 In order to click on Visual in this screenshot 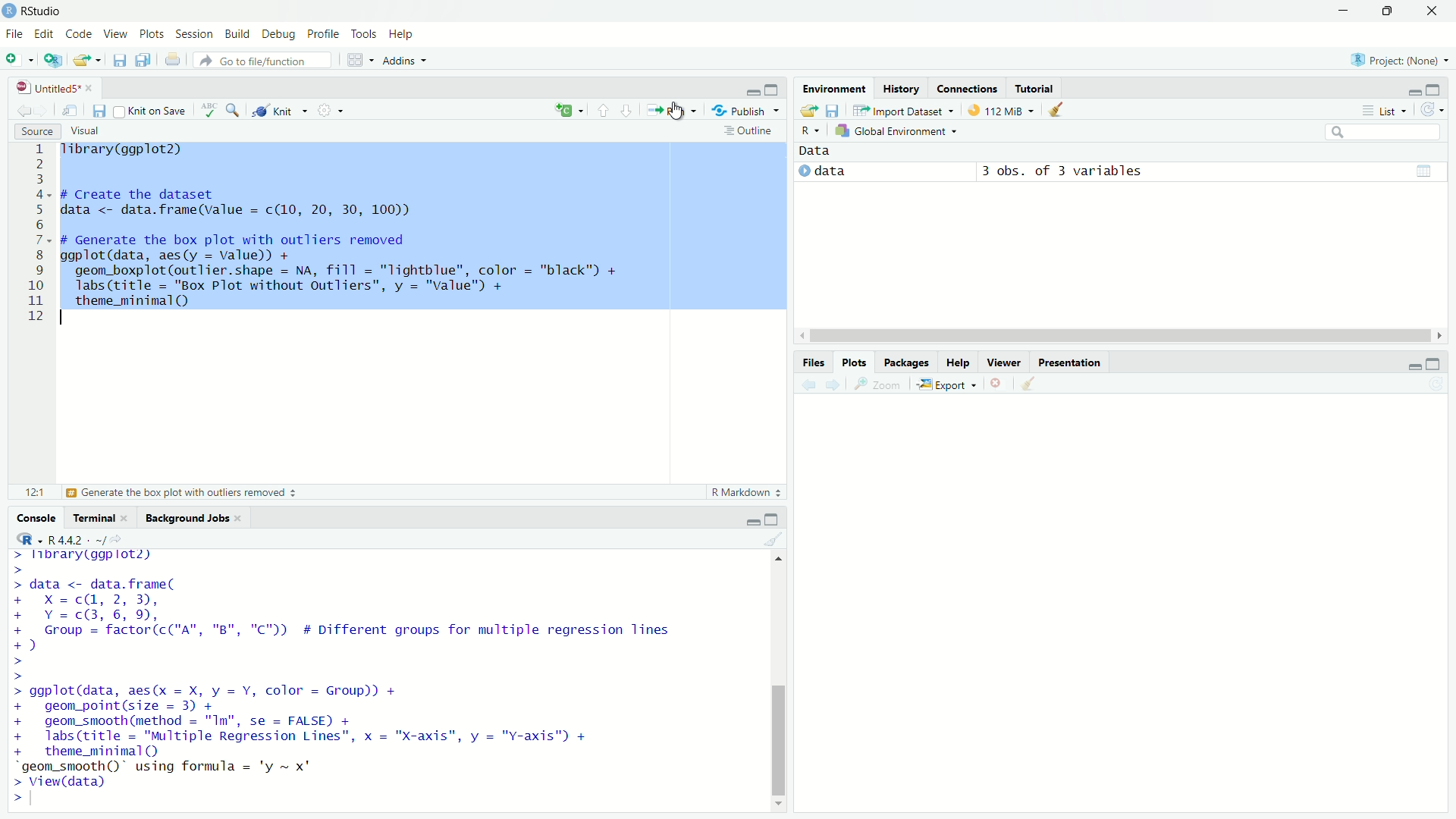, I will do `click(89, 130)`.